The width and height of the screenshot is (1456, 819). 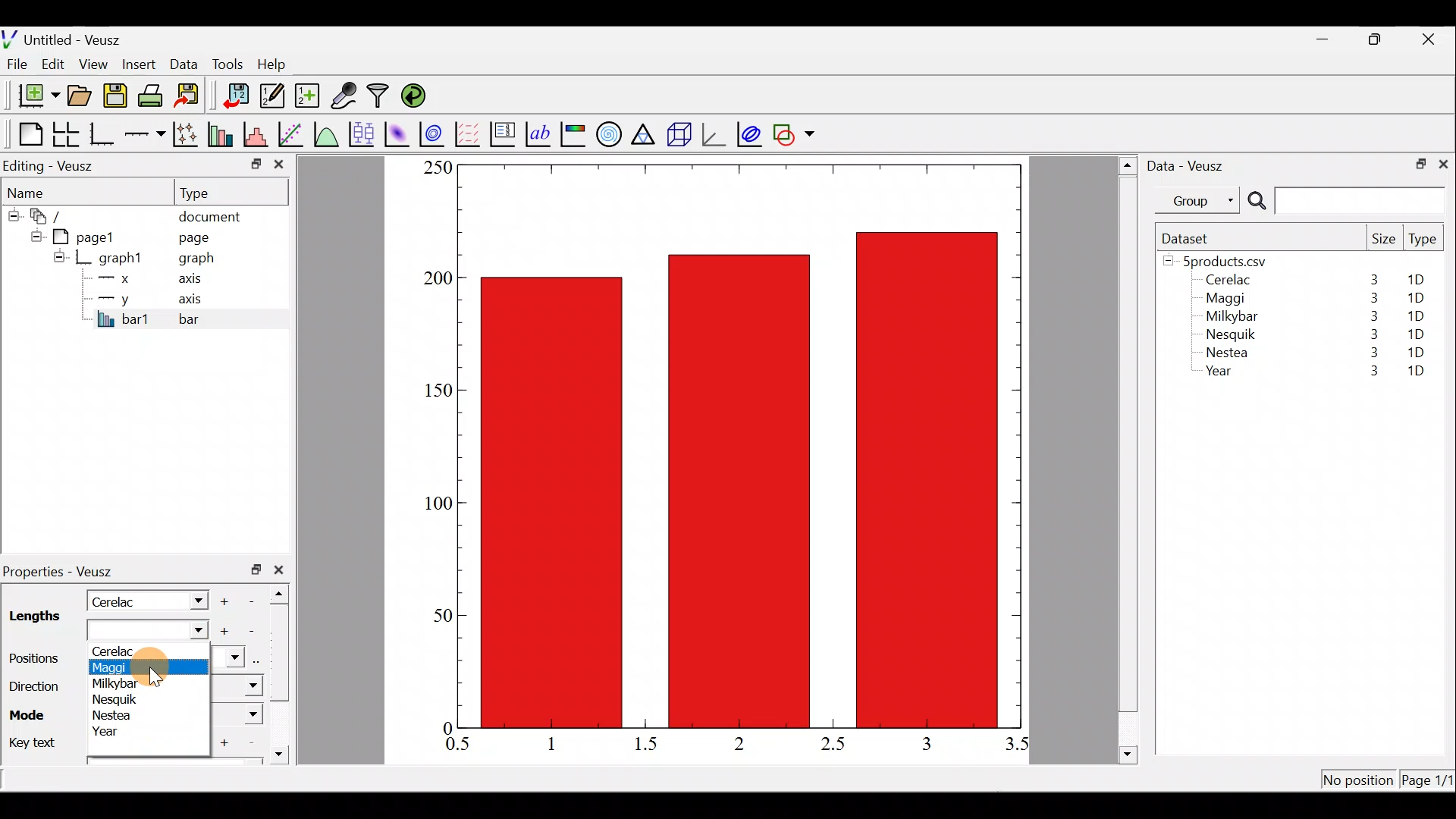 What do you see at coordinates (53, 63) in the screenshot?
I see `Edit` at bounding box center [53, 63].